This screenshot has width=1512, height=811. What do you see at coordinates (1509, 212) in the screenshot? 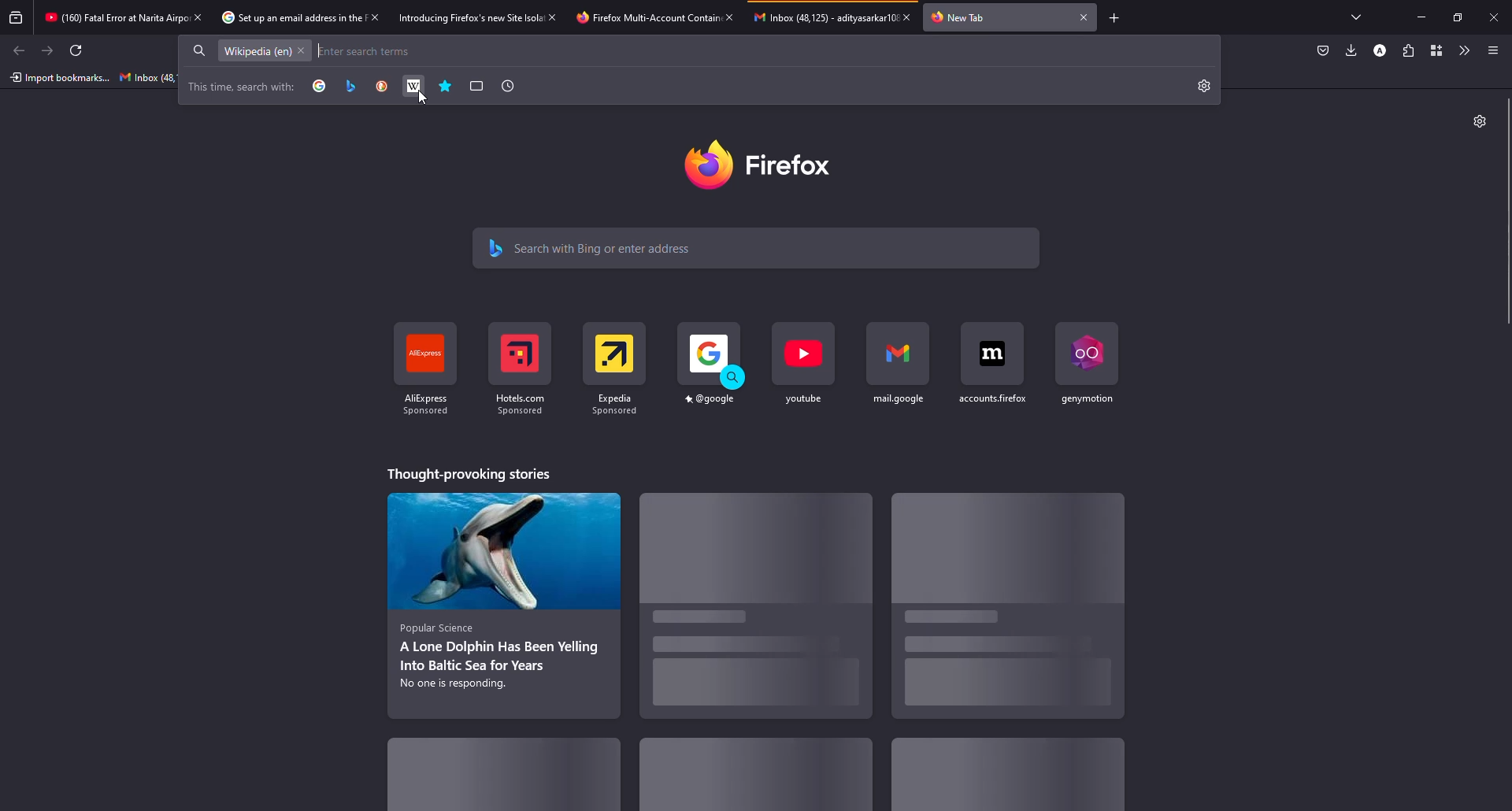
I see `scroll bar` at bounding box center [1509, 212].